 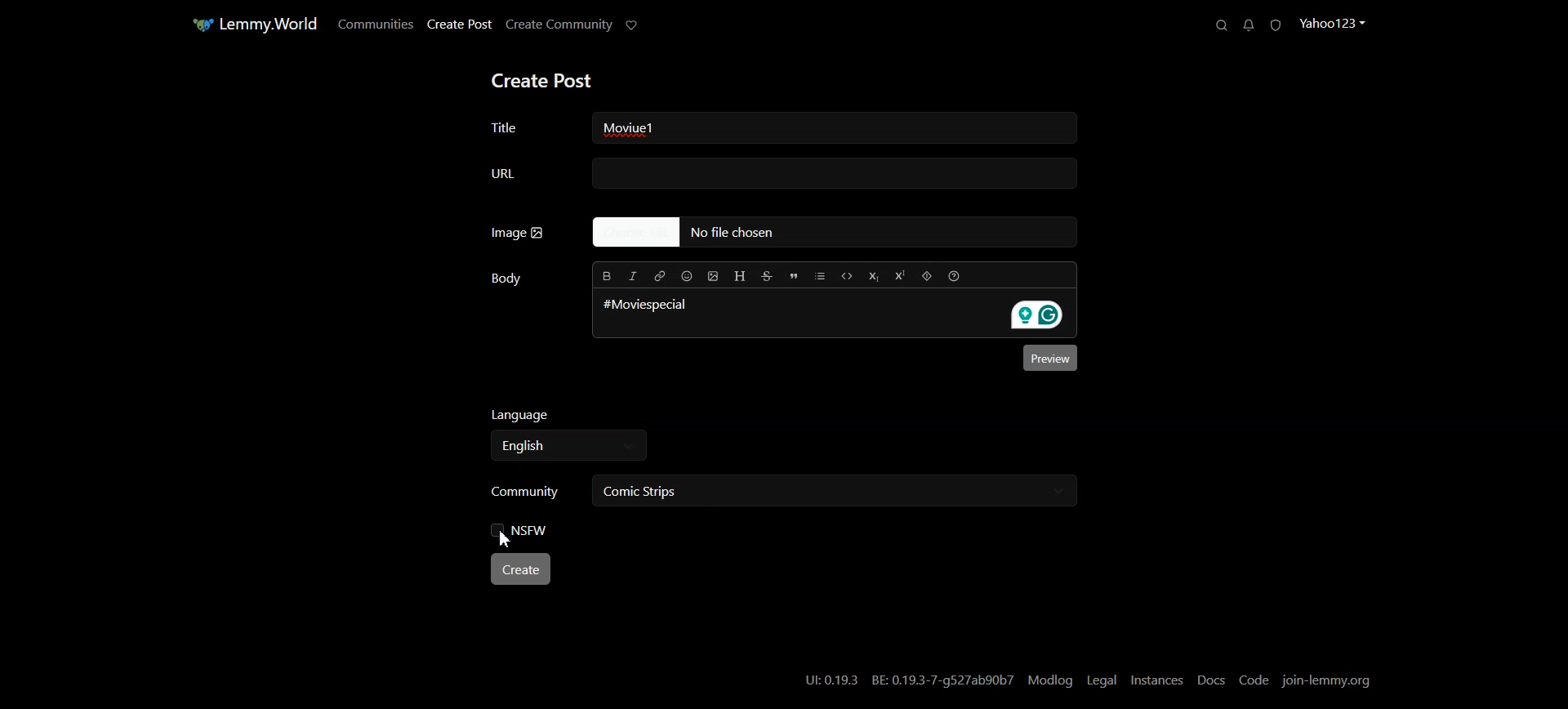 What do you see at coordinates (635, 278) in the screenshot?
I see `Italic` at bounding box center [635, 278].